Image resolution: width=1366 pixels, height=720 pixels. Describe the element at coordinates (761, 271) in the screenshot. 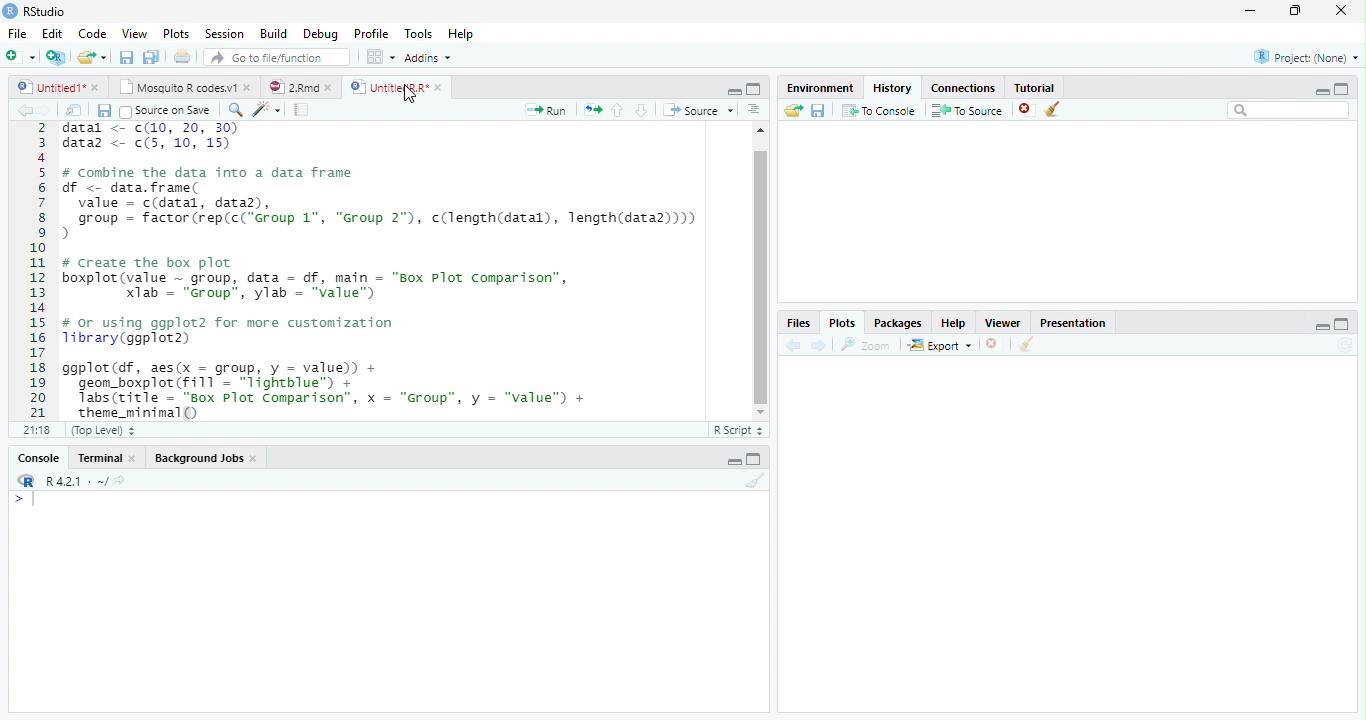

I see `vertical scroll bar` at that location.